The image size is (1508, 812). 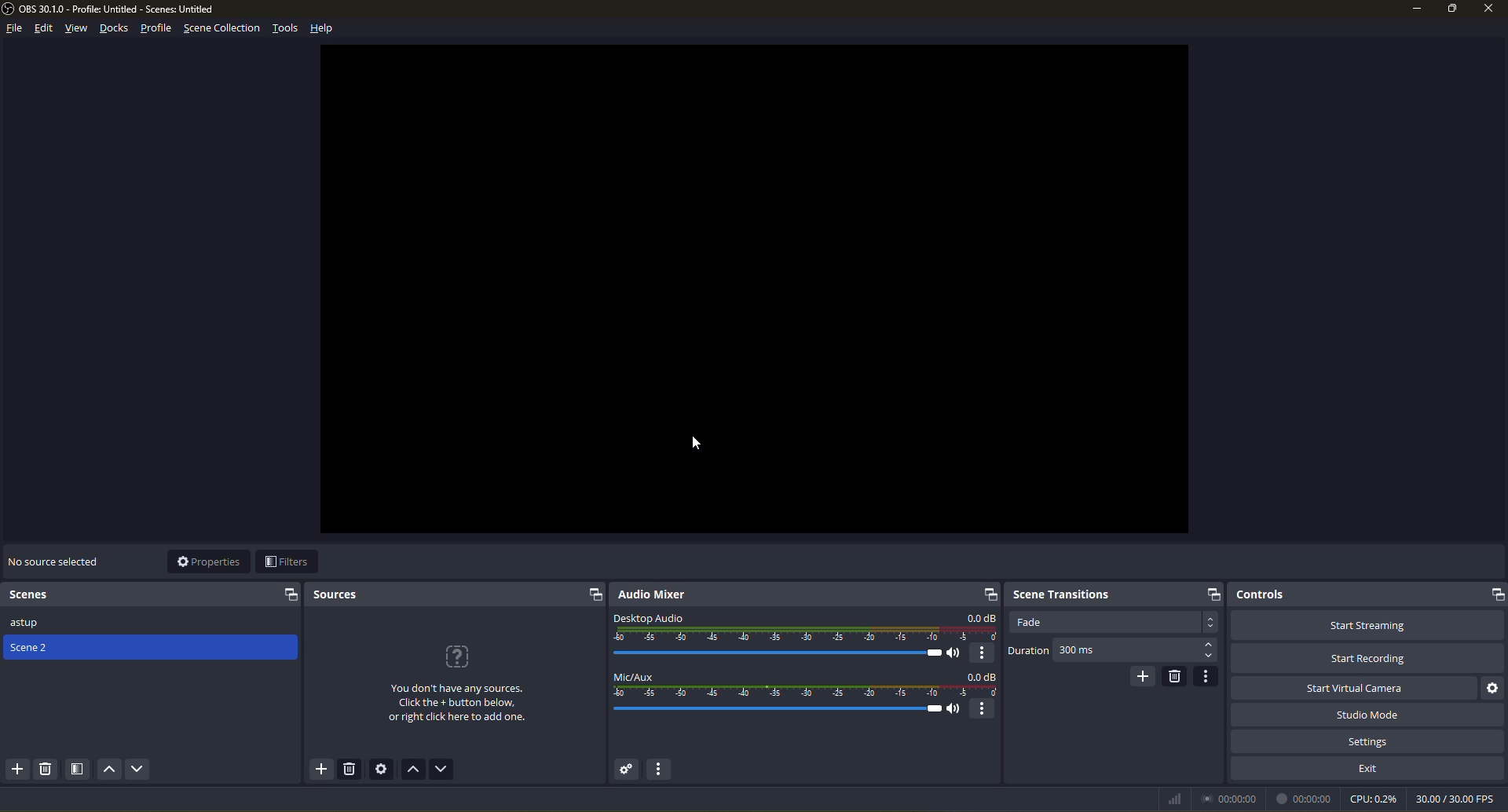 I want to click on advanced audio properties, so click(x=627, y=770).